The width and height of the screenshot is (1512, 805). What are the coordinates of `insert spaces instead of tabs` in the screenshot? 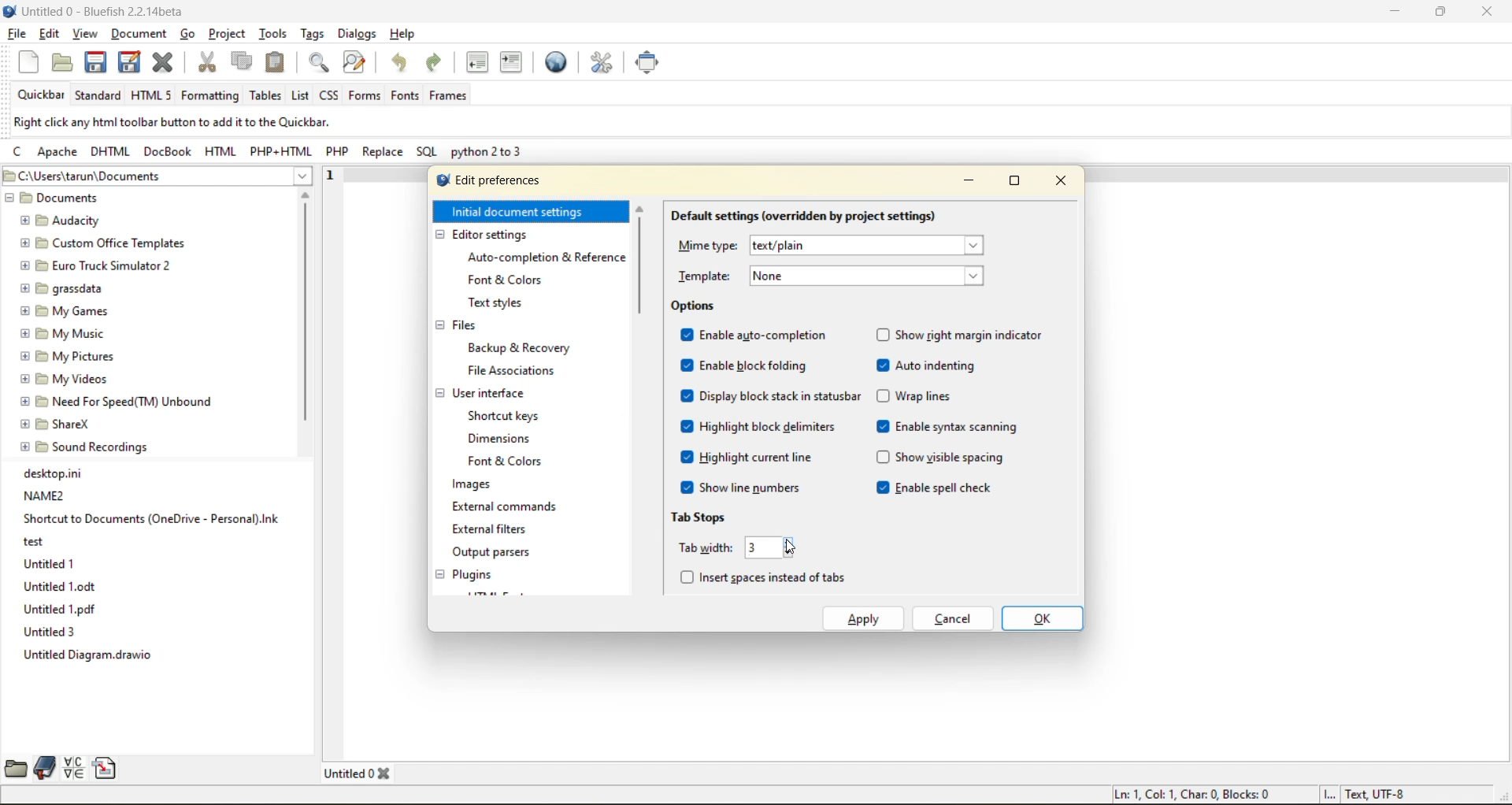 It's located at (766, 573).